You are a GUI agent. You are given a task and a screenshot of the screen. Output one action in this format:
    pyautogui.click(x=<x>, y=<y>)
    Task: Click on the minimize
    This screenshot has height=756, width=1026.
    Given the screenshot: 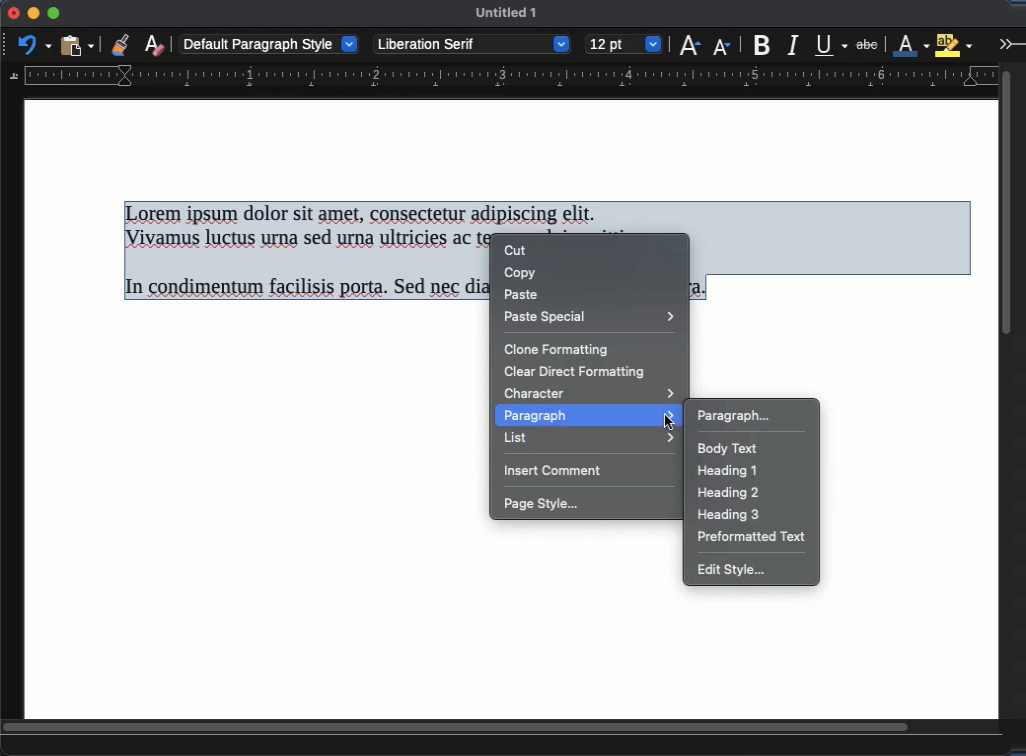 What is the action you would take?
    pyautogui.click(x=33, y=13)
    